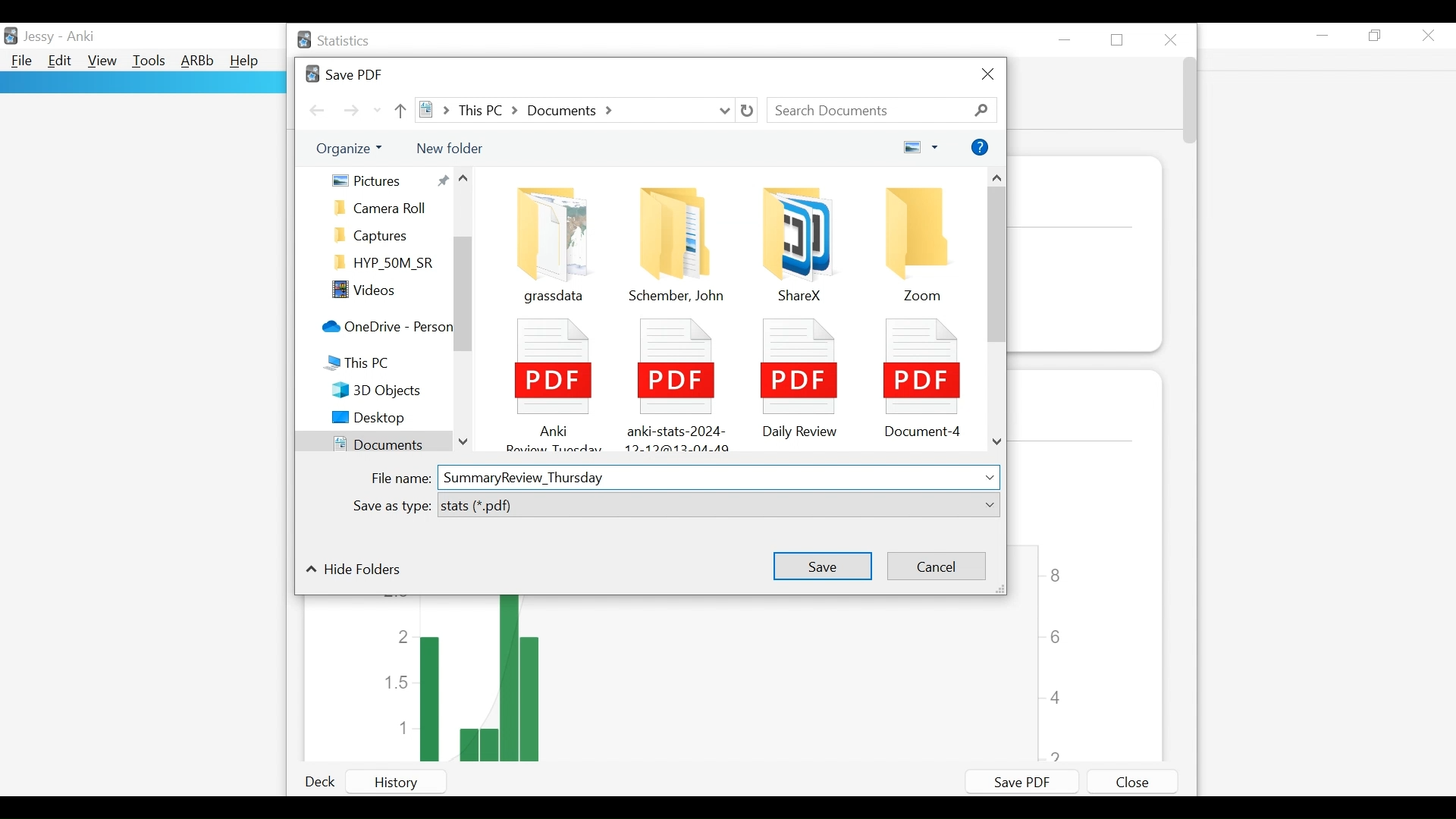  What do you see at coordinates (385, 264) in the screenshot?
I see `Folder` at bounding box center [385, 264].